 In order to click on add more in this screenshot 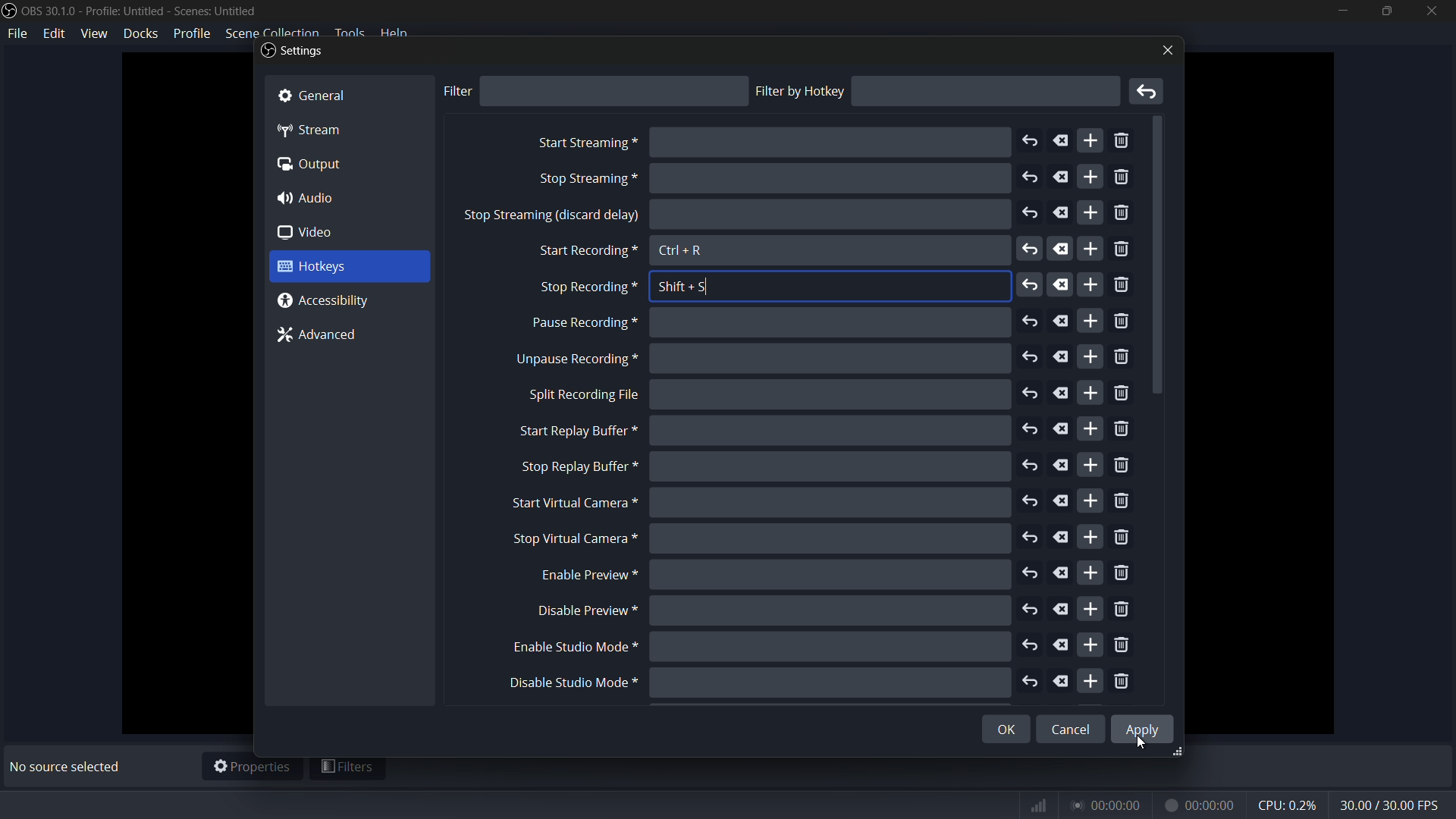, I will do `click(1091, 680)`.